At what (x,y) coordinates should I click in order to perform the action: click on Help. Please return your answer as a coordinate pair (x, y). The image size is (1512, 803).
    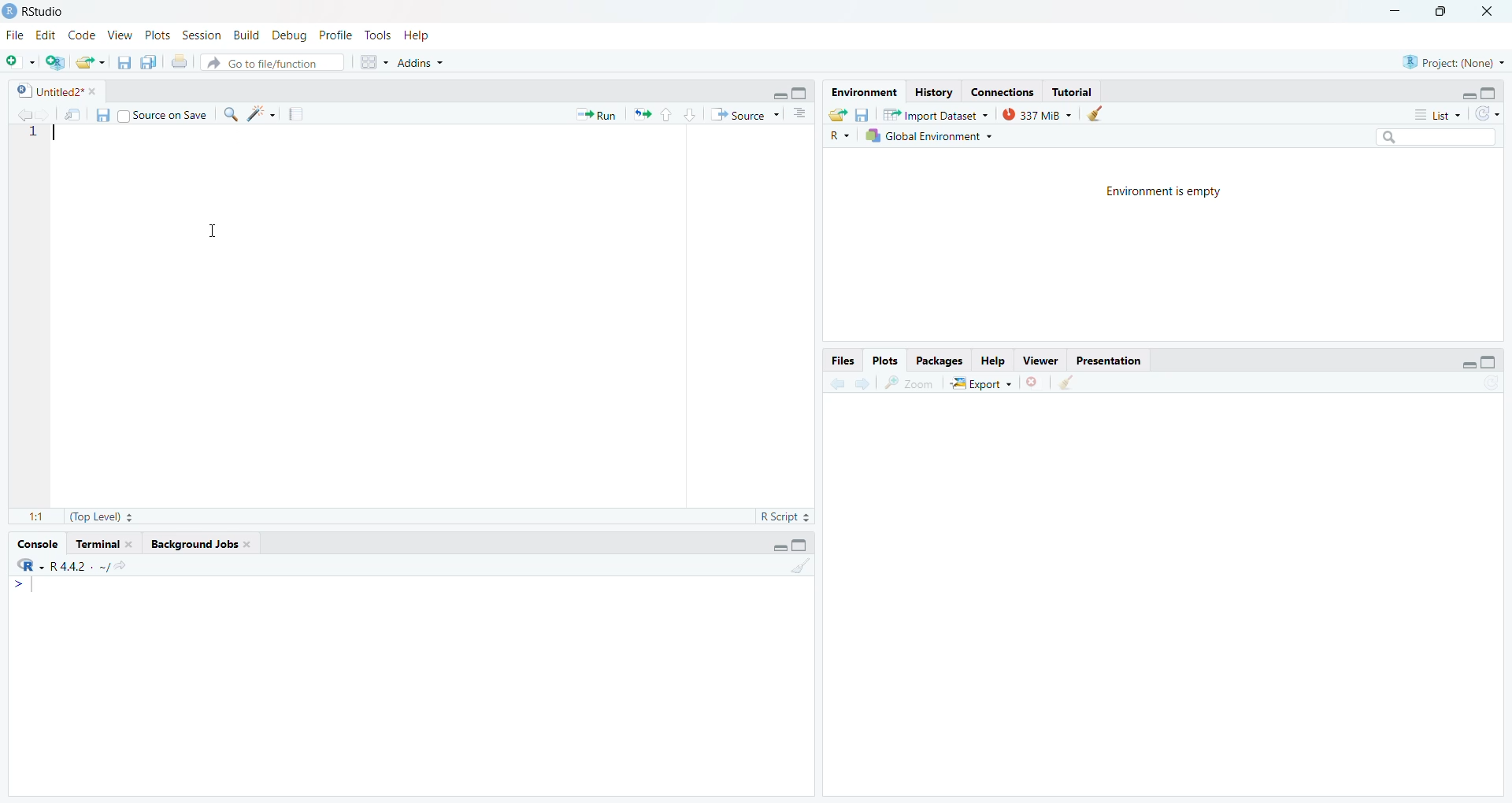
    Looking at the image, I should click on (418, 37).